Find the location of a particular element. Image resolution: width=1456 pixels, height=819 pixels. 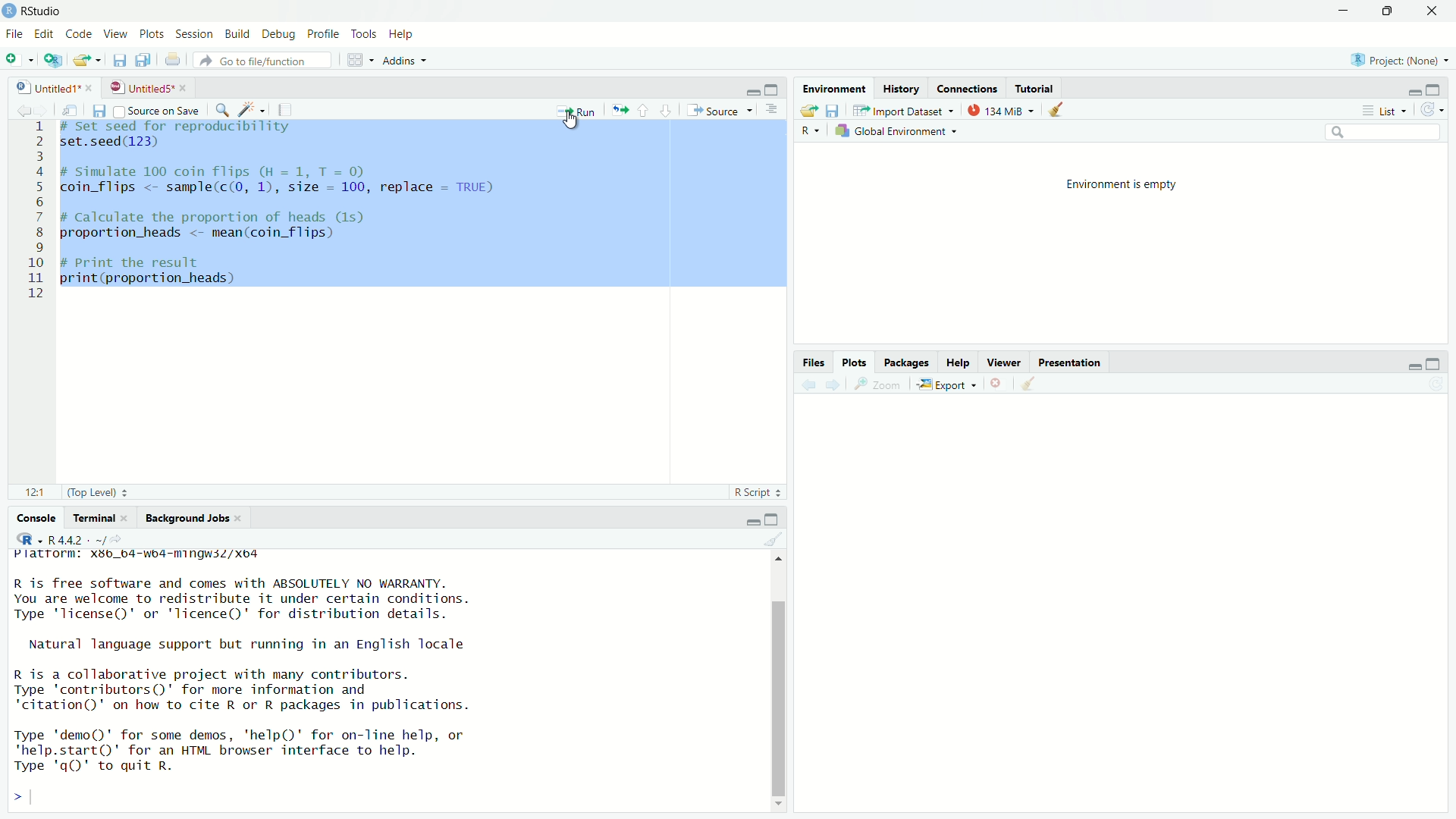

# Simulate 100 coin Ttihips (H=1, T = 0) is located at coordinates (235, 170).